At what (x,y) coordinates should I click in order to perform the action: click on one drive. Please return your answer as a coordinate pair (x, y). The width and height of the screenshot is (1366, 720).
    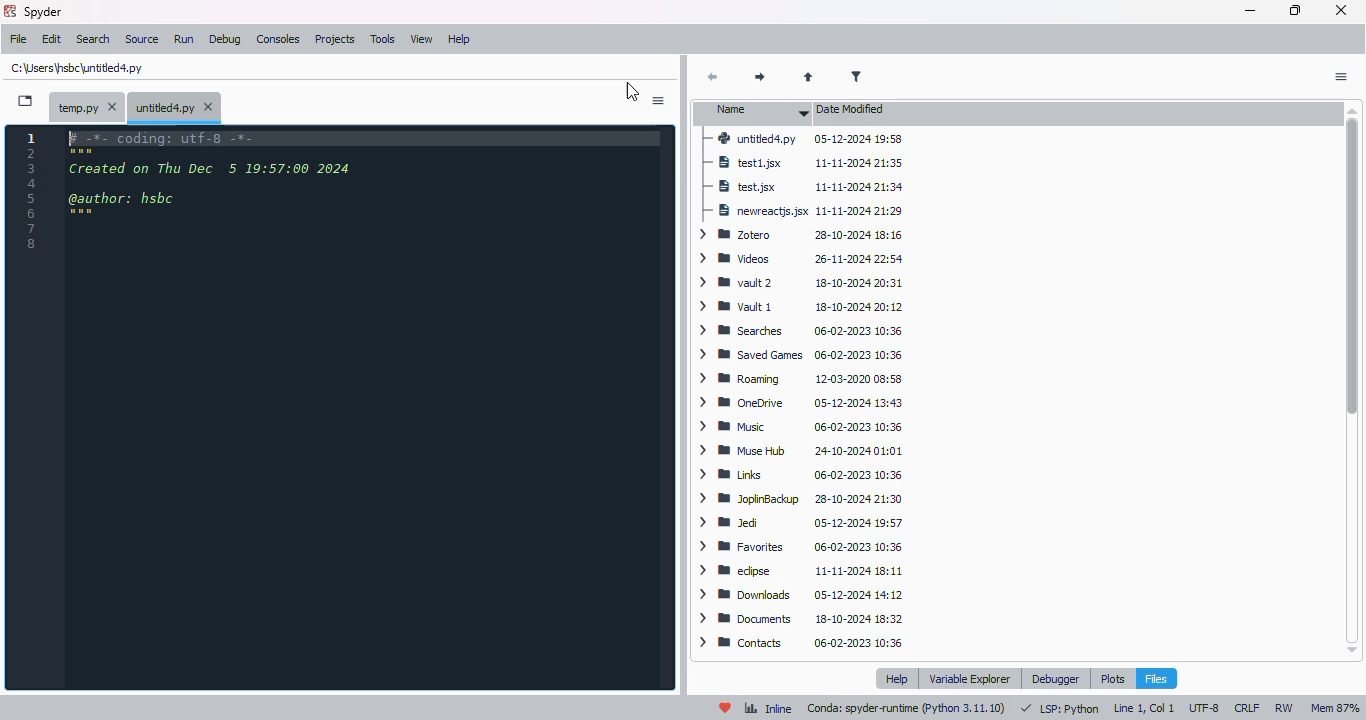
    Looking at the image, I should click on (798, 452).